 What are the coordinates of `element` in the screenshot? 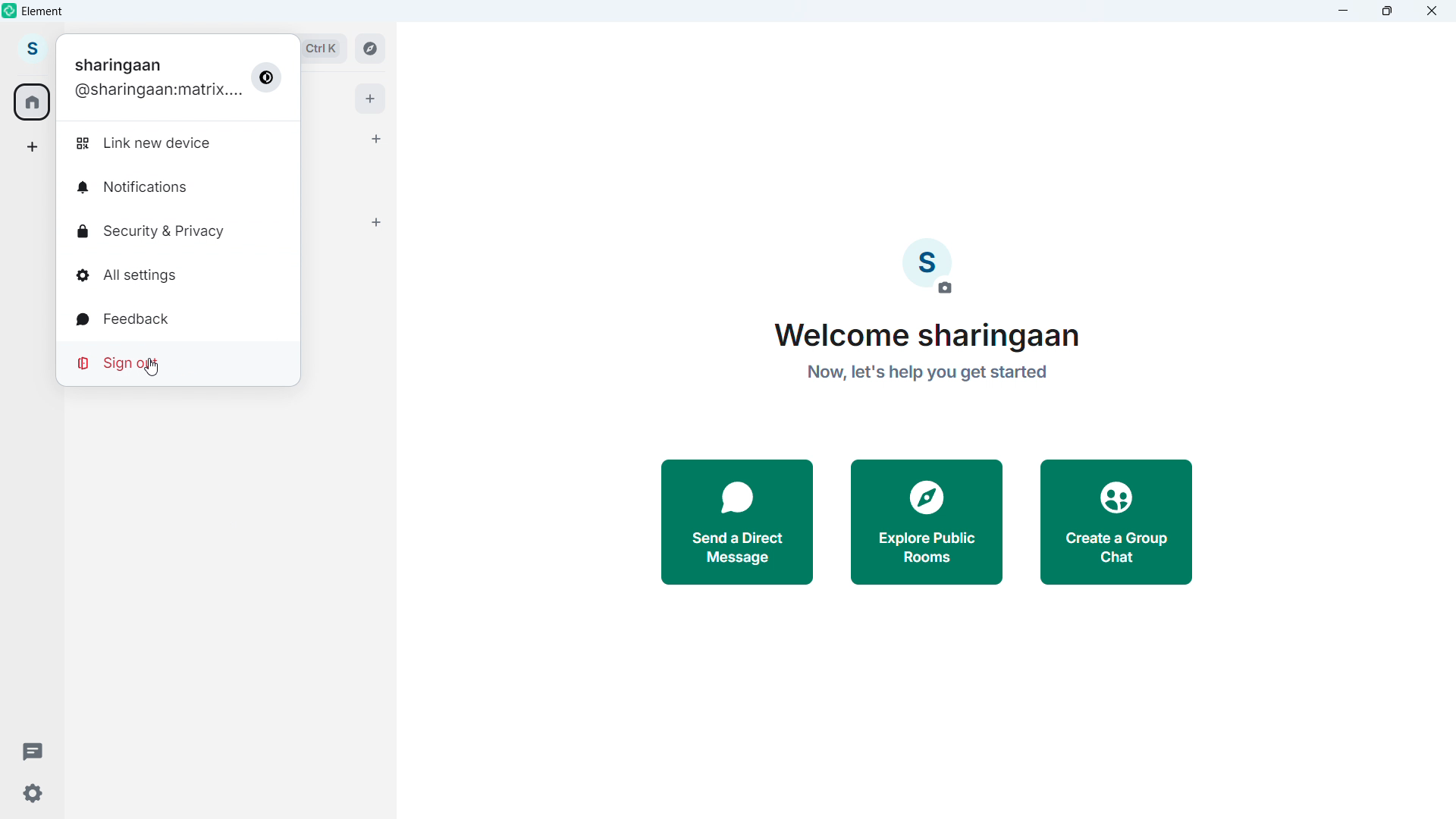 It's located at (43, 13).